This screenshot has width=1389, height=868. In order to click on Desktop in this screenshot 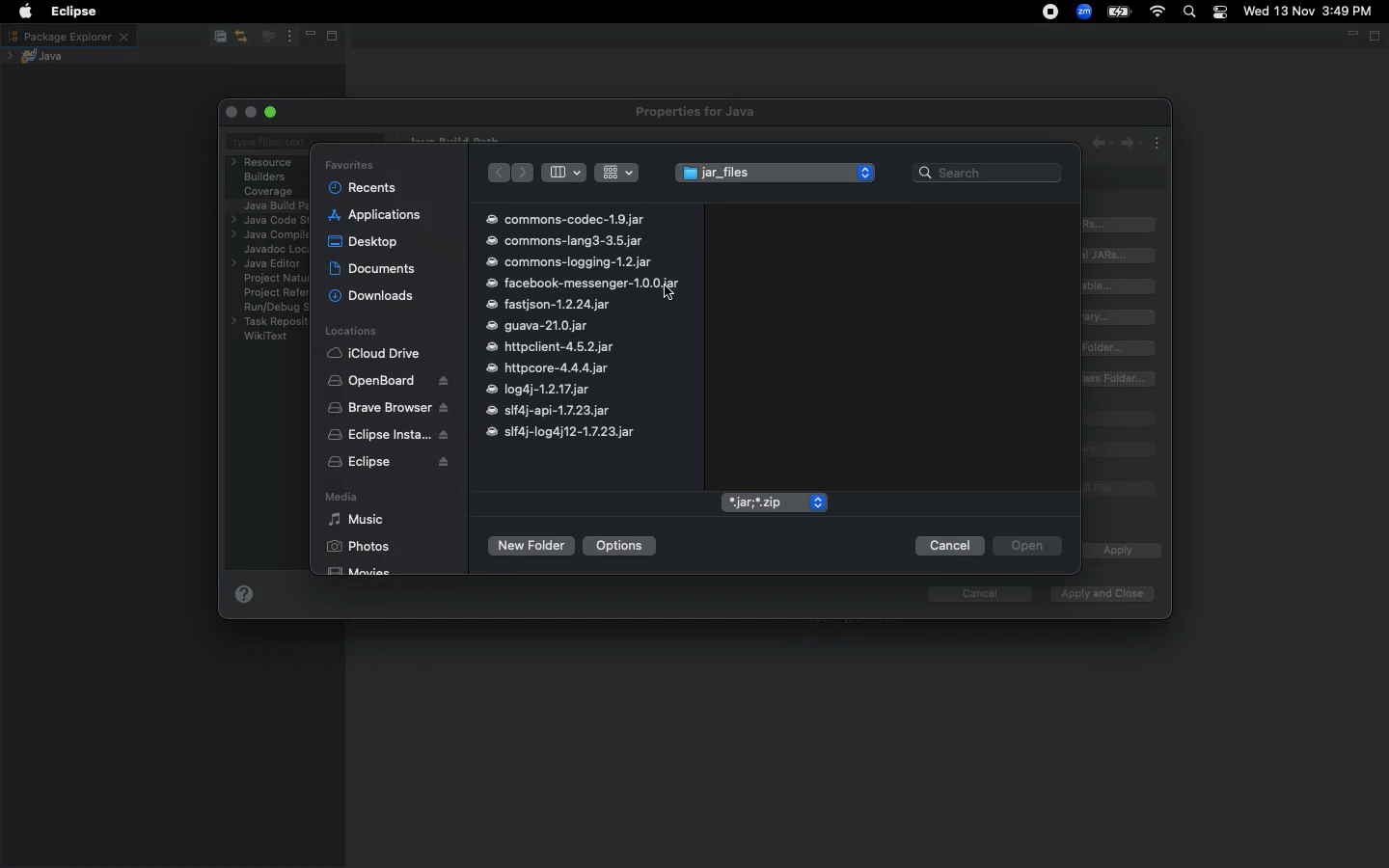, I will do `click(363, 240)`.